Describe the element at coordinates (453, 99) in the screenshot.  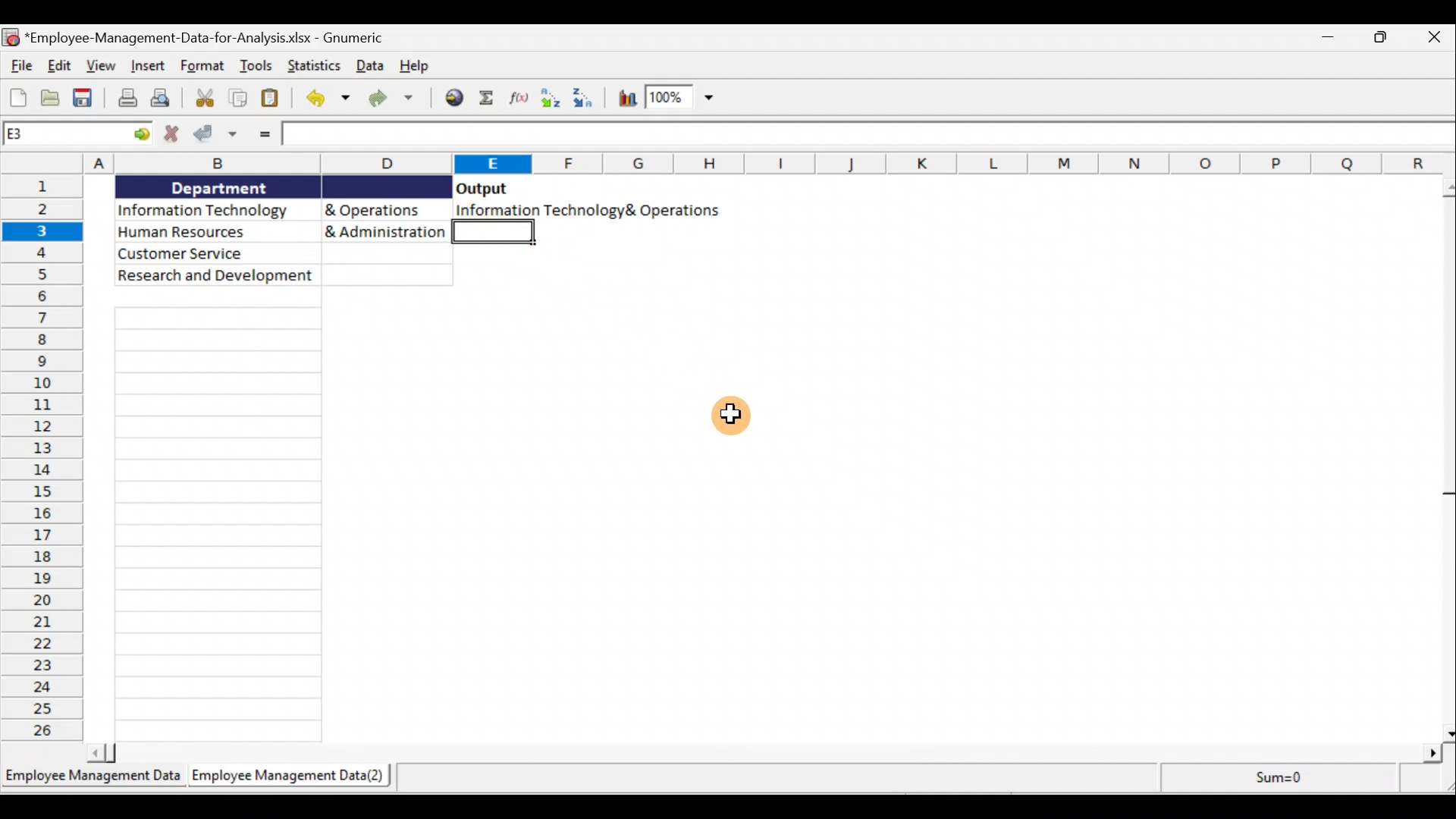
I see `Insert hyperlink` at that location.